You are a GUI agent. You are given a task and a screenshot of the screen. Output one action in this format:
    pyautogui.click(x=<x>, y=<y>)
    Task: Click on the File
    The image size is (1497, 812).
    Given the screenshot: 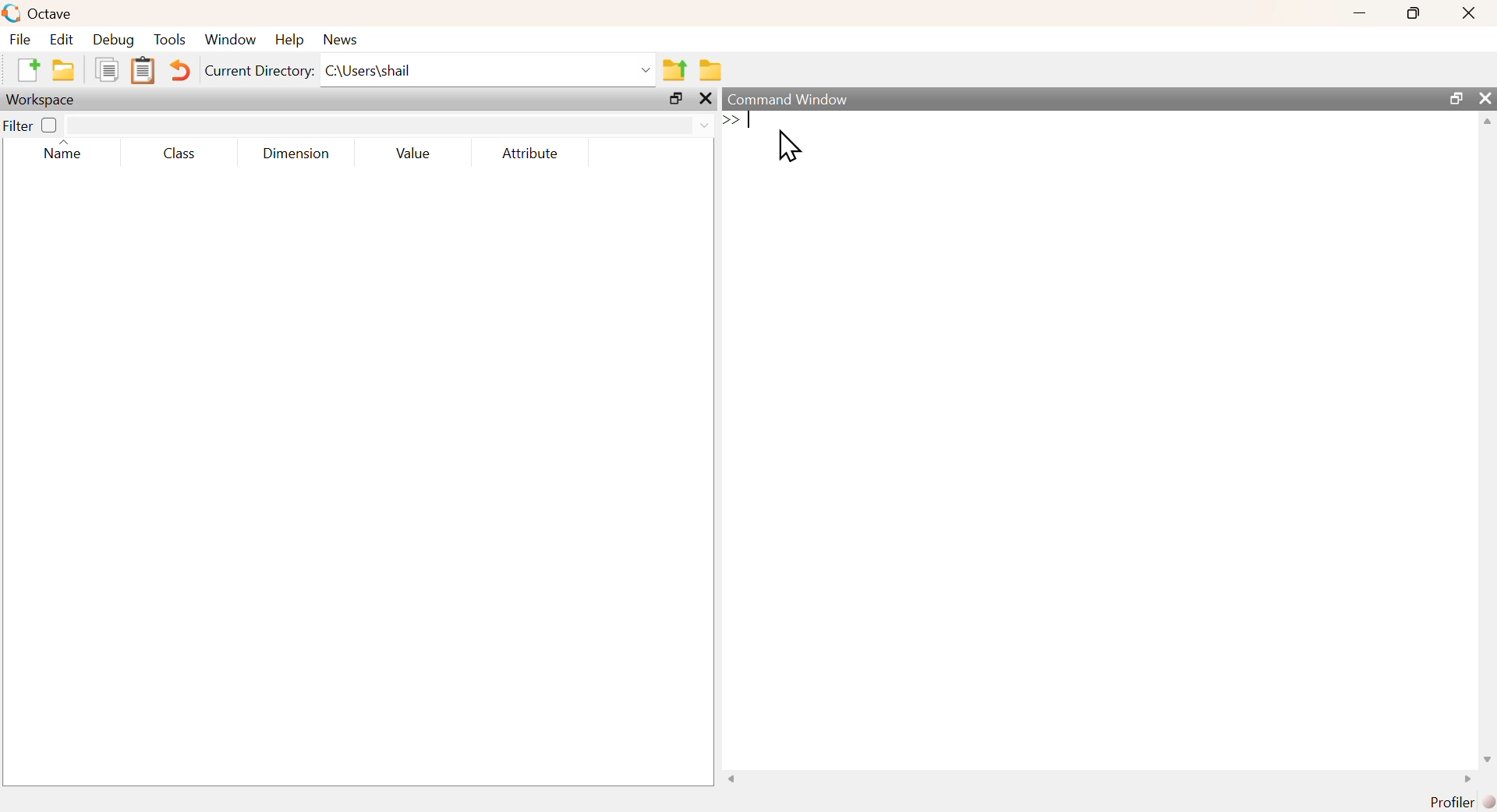 What is the action you would take?
    pyautogui.click(x=19, y=39)
    